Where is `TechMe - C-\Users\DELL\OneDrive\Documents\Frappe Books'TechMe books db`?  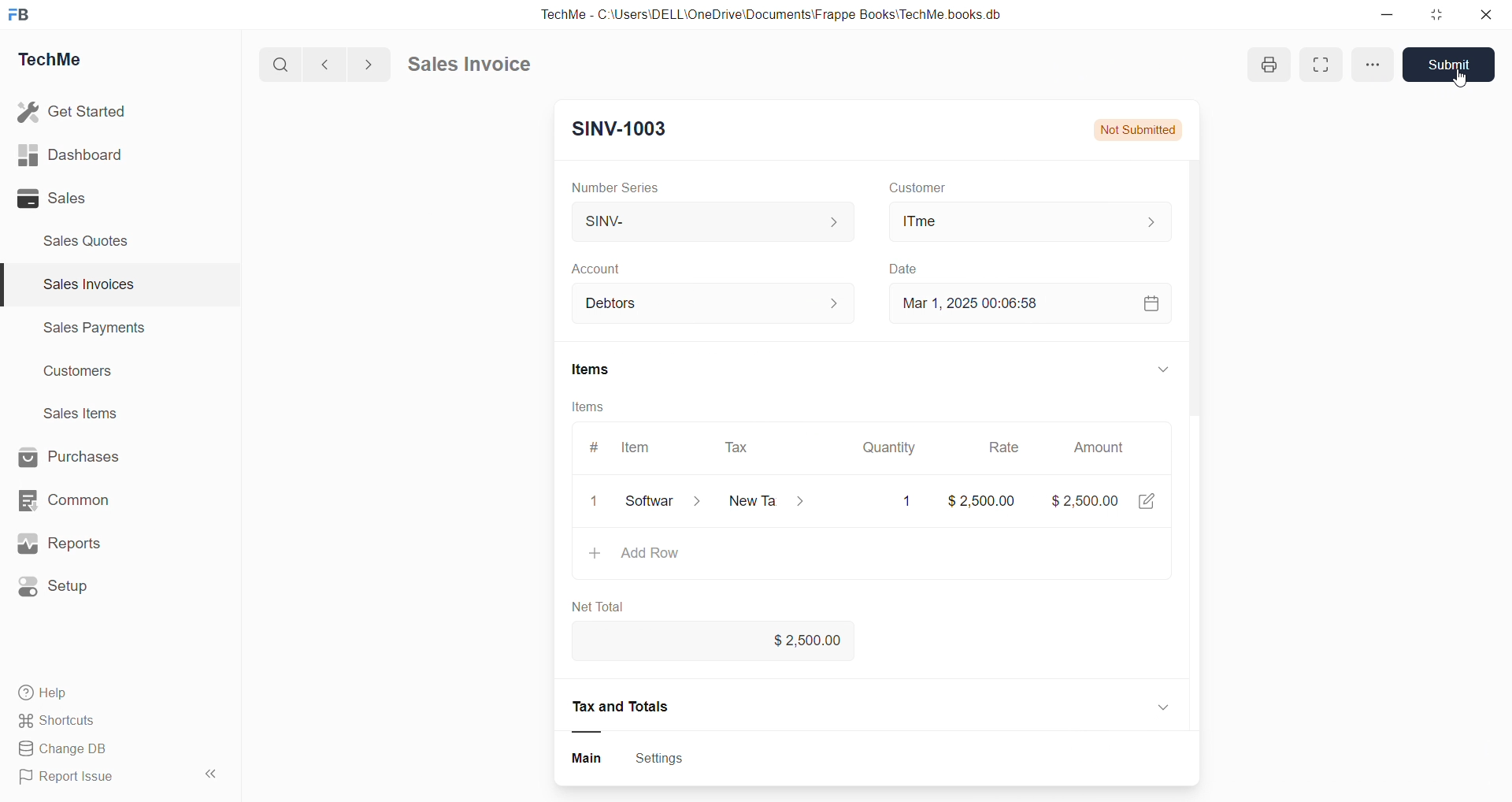 TechMe - C-\Users\DELL\OneDrive\Documents\Frappe Books'TechMe books db is located at coordinates (787, 12).